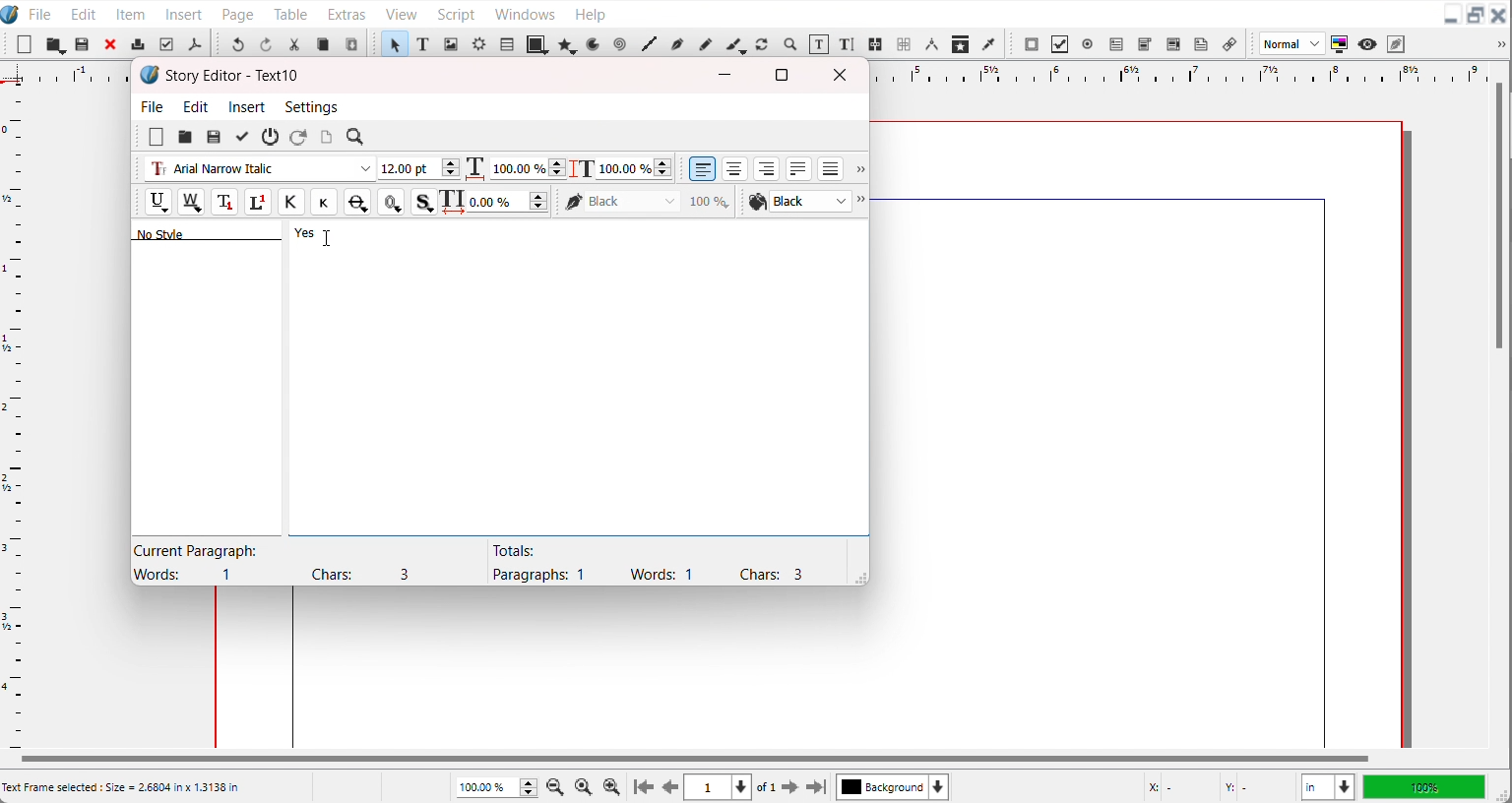 This screenshot has height=803, width=1512. What do you see at coordinates (40, 13) in the screenshot?
I see `File` at bounding box center [40, 13].